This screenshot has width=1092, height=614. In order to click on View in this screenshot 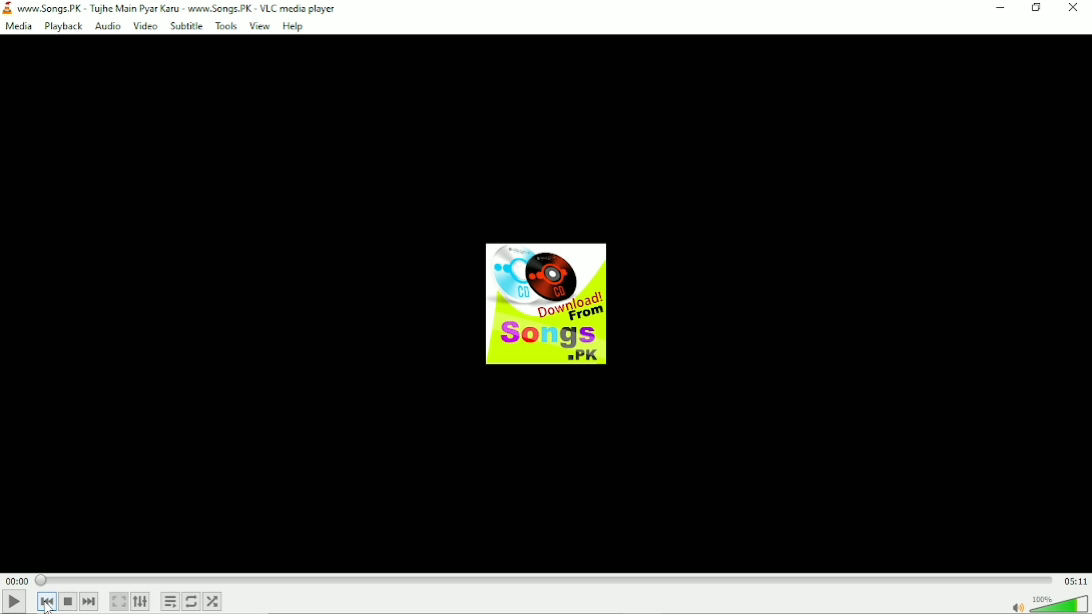, I will do `click(260, 27)`.